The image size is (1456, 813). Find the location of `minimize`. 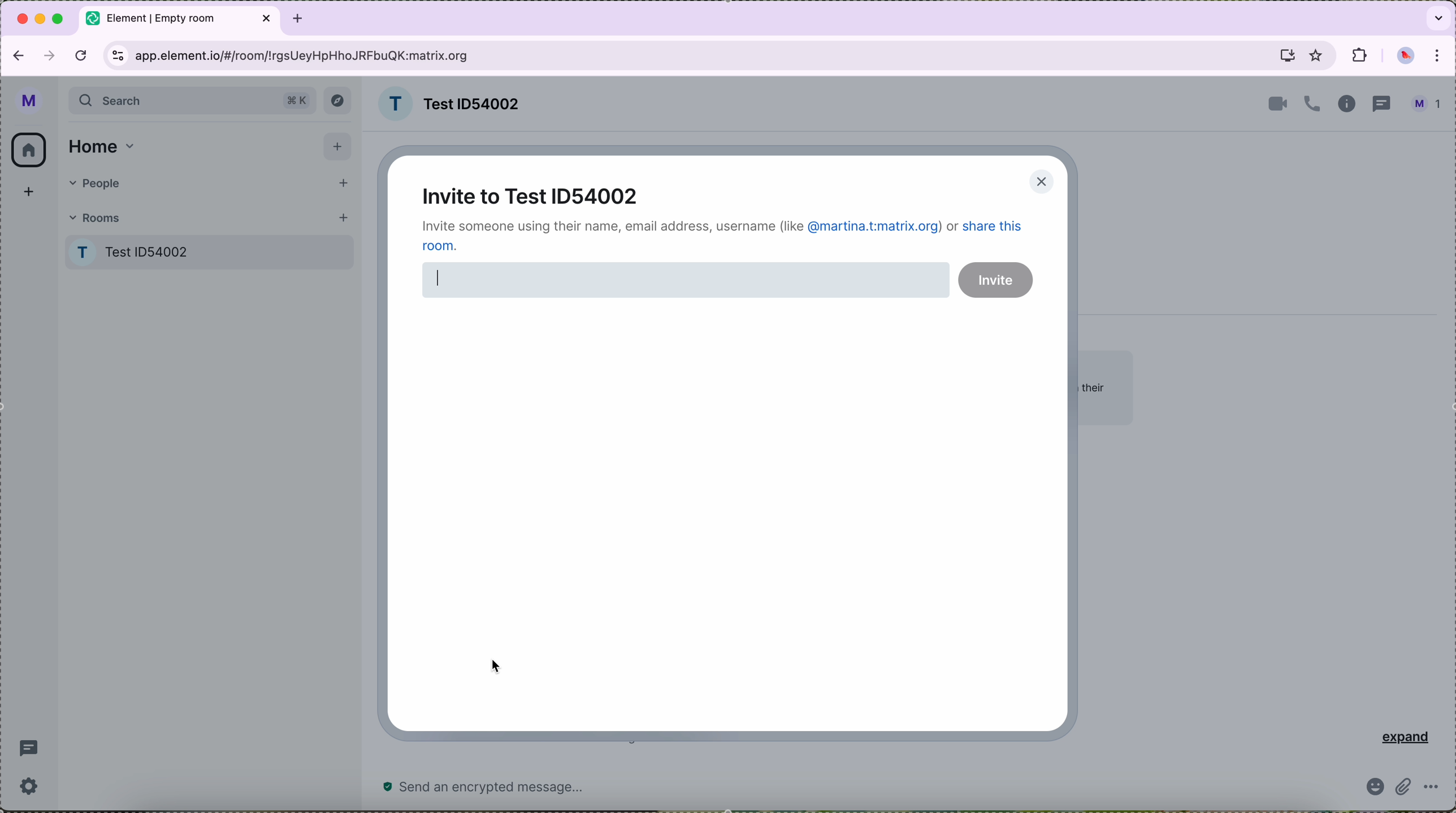

minimize is located at coordinates (42, 19).